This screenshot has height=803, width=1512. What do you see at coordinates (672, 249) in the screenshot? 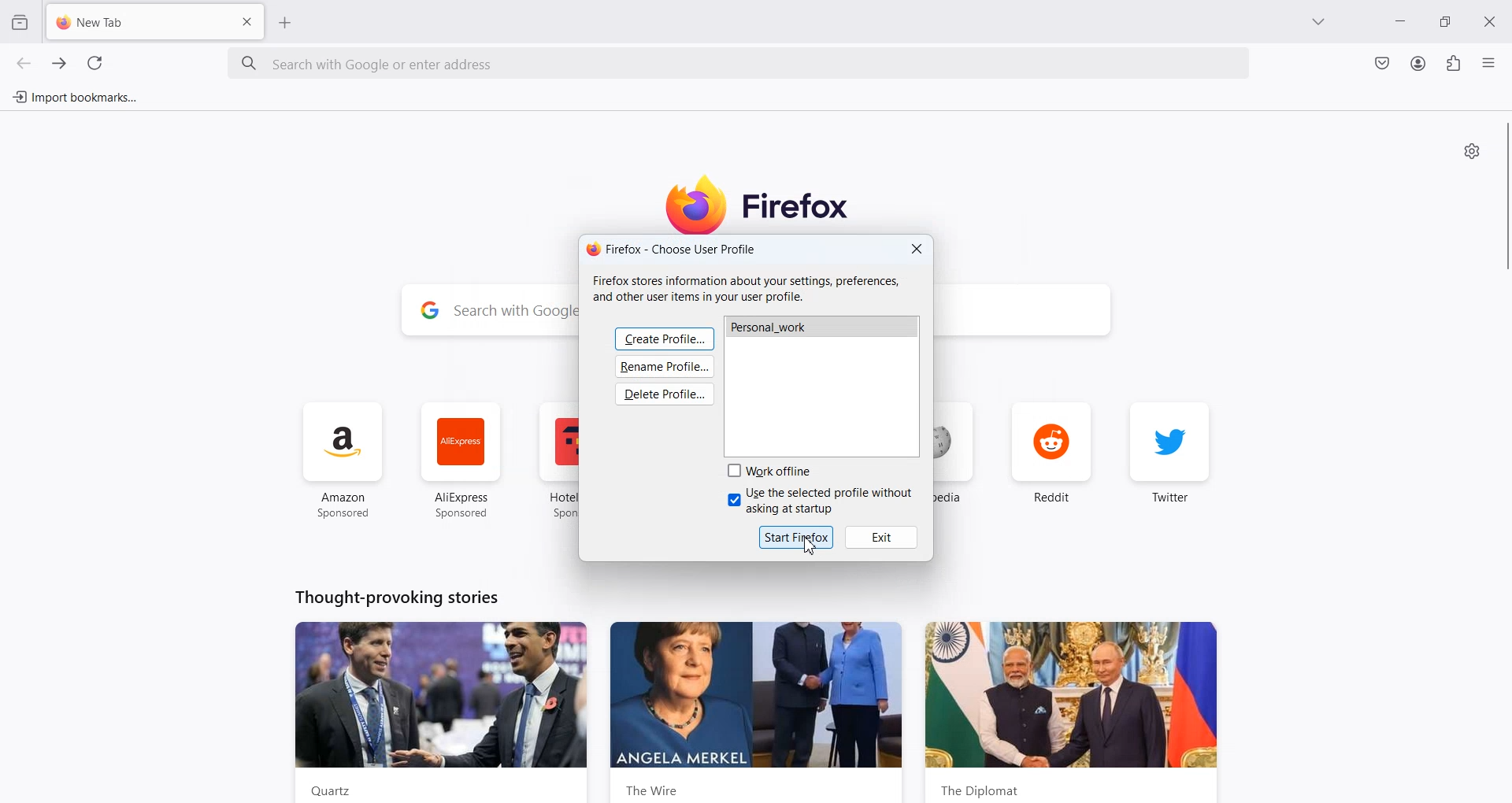
I see `Firefox - Choose User Profile` at bounding box center [672, 249].